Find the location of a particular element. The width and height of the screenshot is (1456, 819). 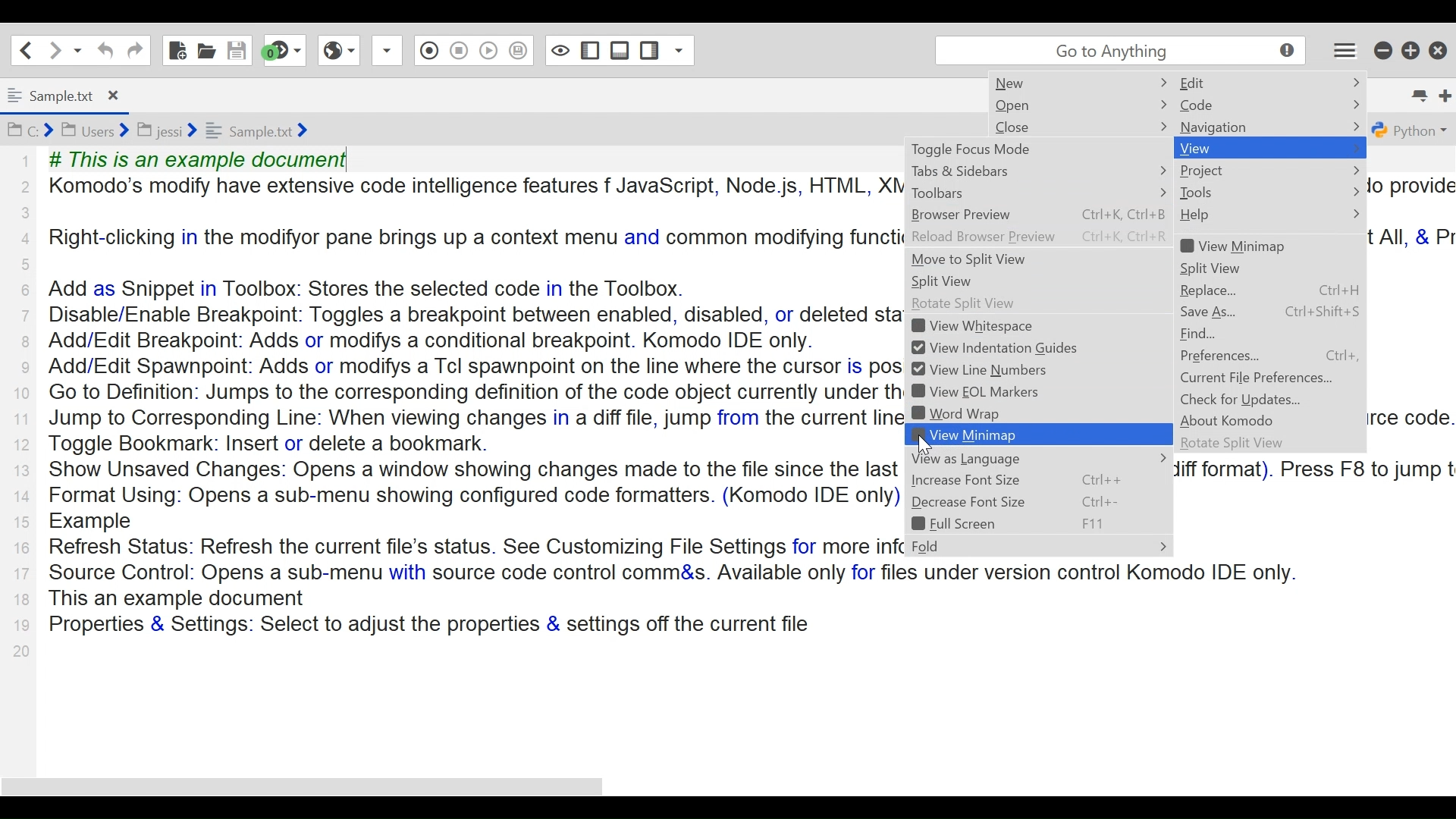

View is located at coordinates (1222, 148).